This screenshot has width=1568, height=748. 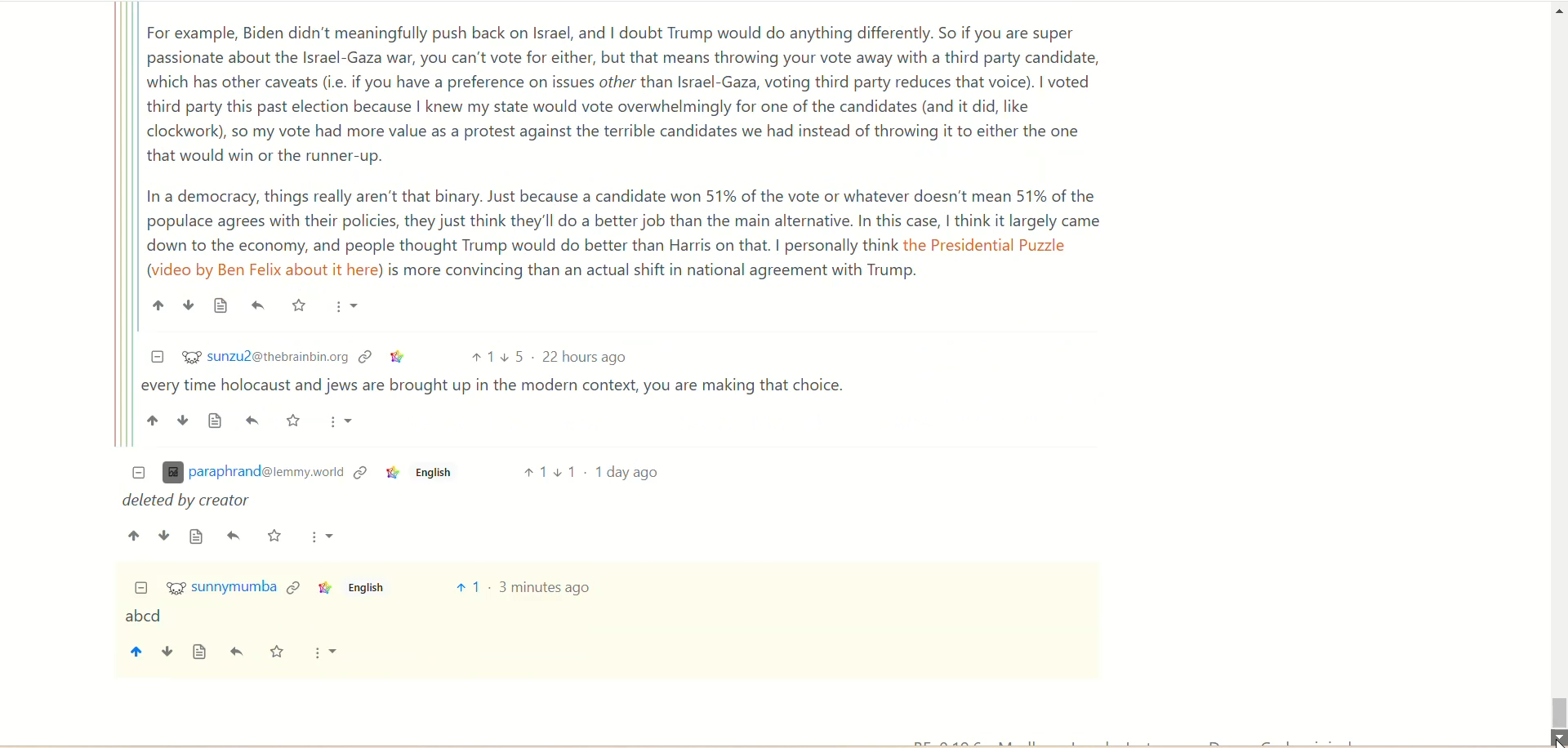 What do you see at coordinates (222, 589) in the screenshot?
I see `%¥ sunnymumba` at bounding box center [222, 589].